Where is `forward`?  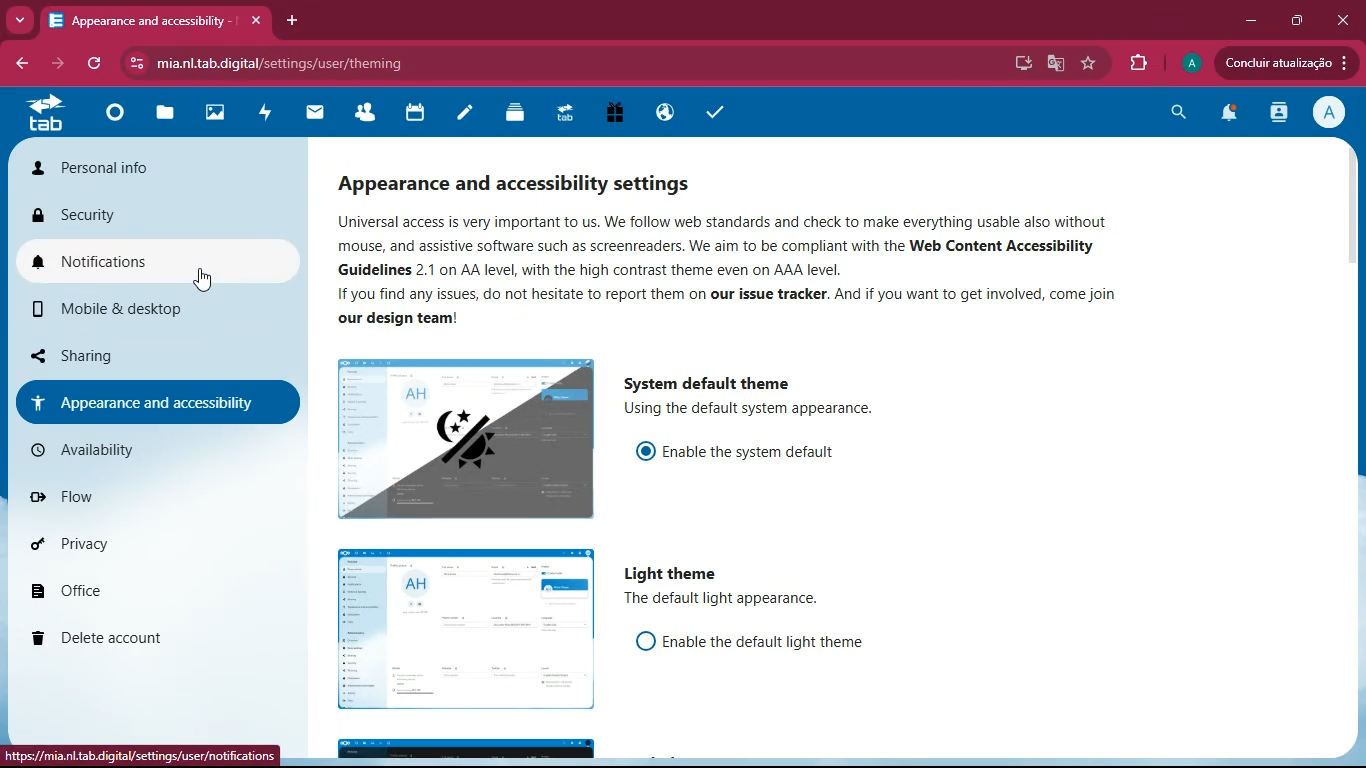
forward is located at coordinates (61, 64).